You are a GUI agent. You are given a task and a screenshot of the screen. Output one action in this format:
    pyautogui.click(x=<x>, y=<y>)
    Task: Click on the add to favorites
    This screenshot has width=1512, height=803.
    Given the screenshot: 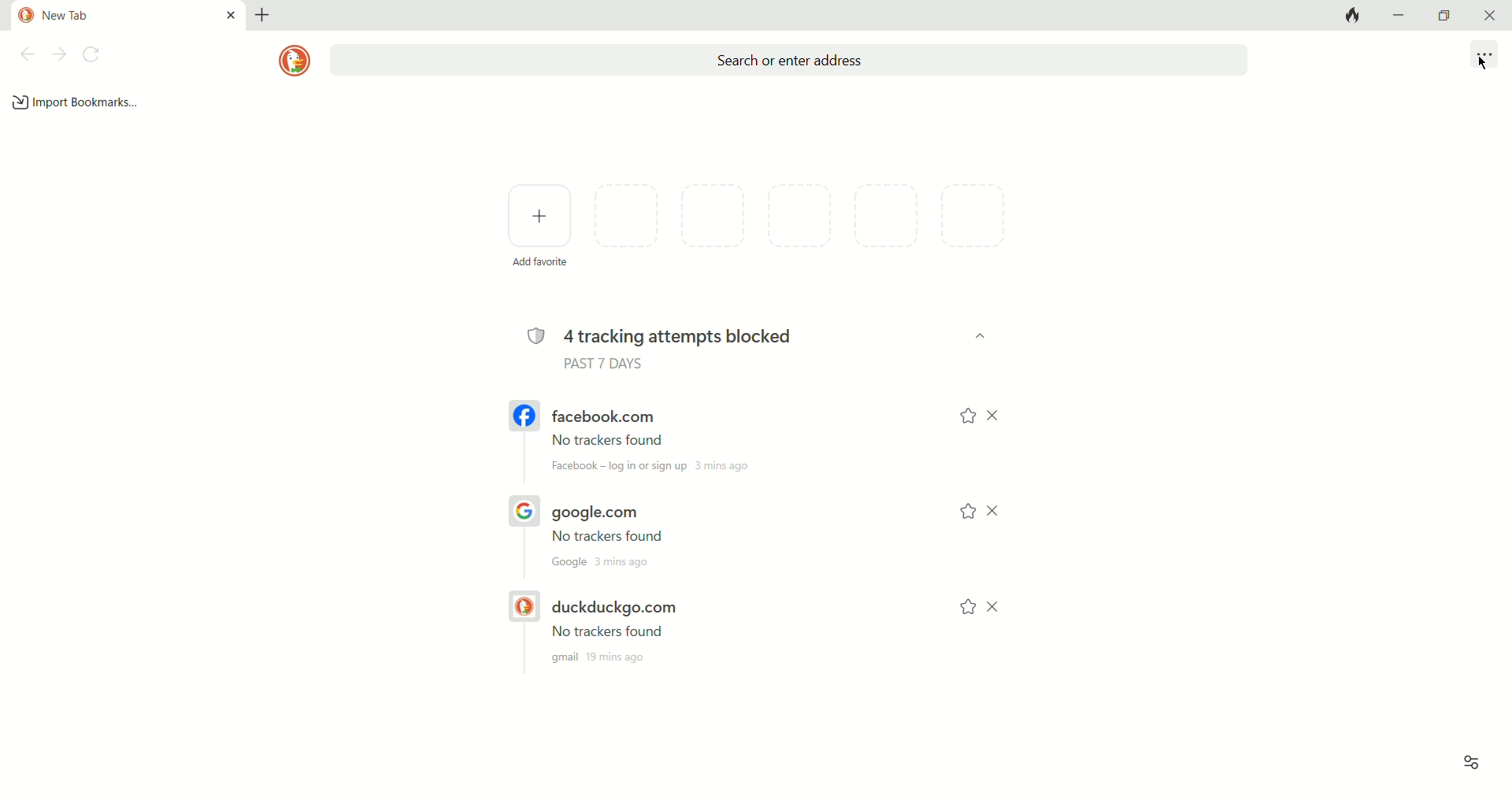 What is the action you would take?
    pyautogui.click(x=963, y=605)
    